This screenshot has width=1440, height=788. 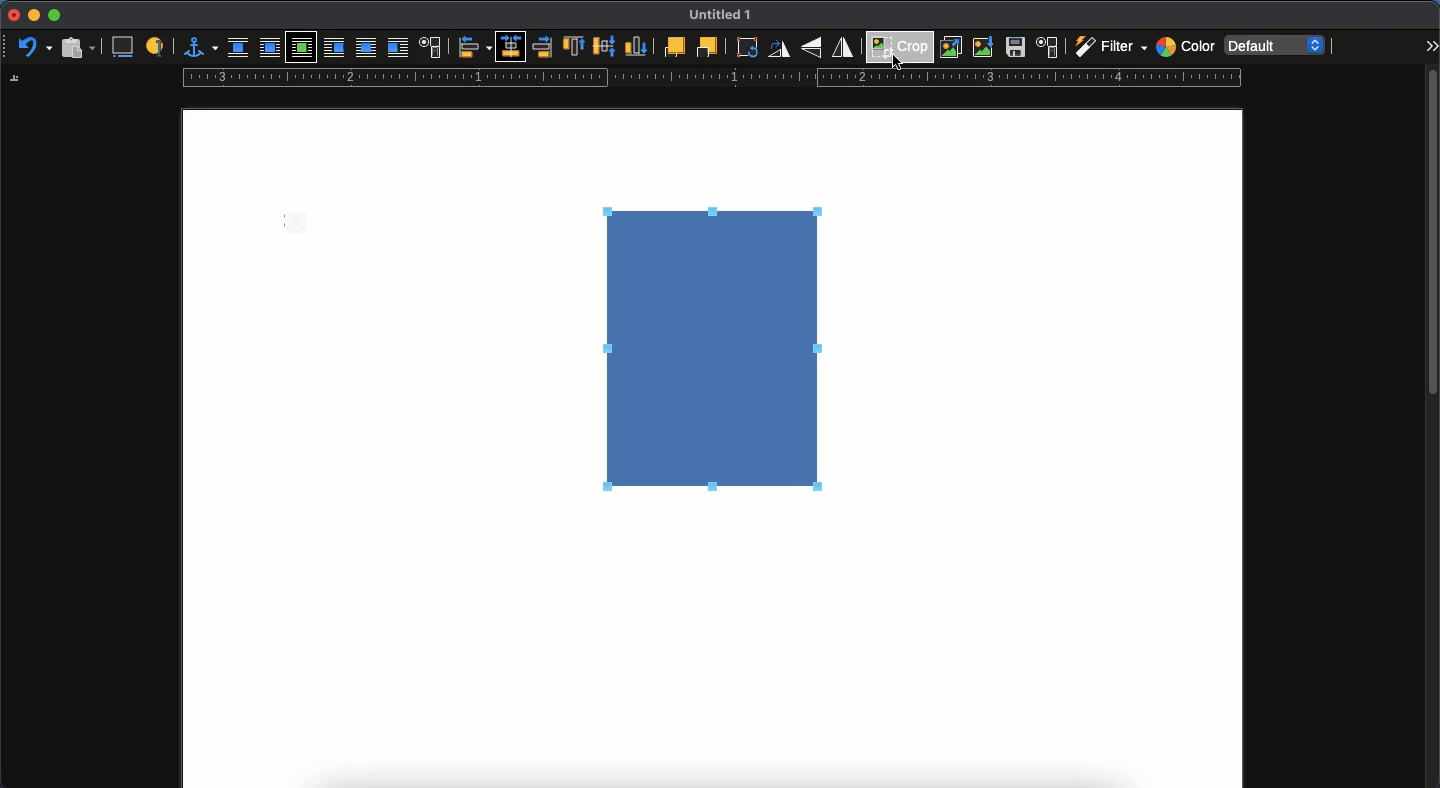 What do you see at coordinates (77, 46) in the screenshot?
I see `paste` at bounding box center [77, 46].